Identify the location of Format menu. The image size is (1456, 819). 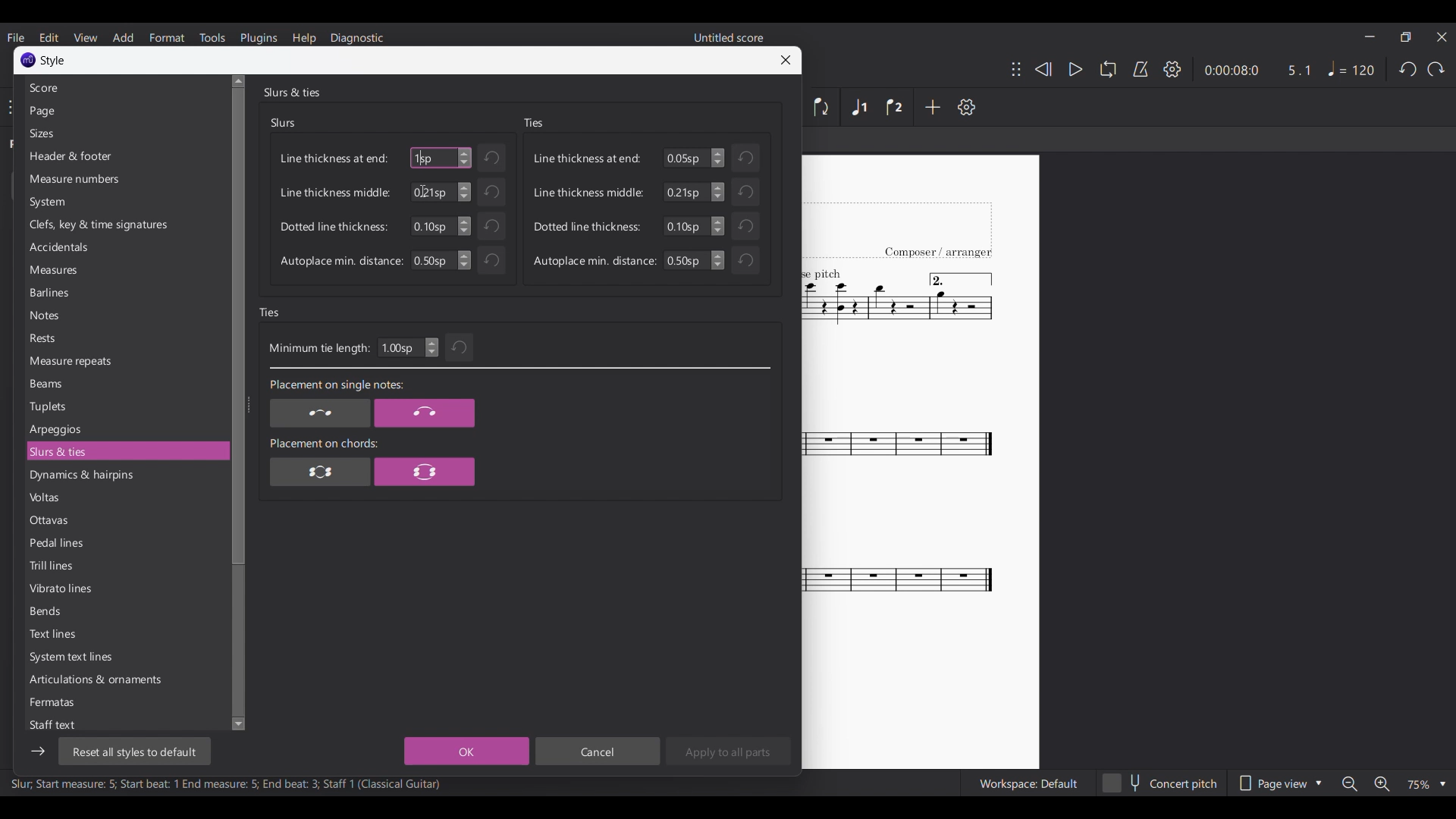
(167, 37).